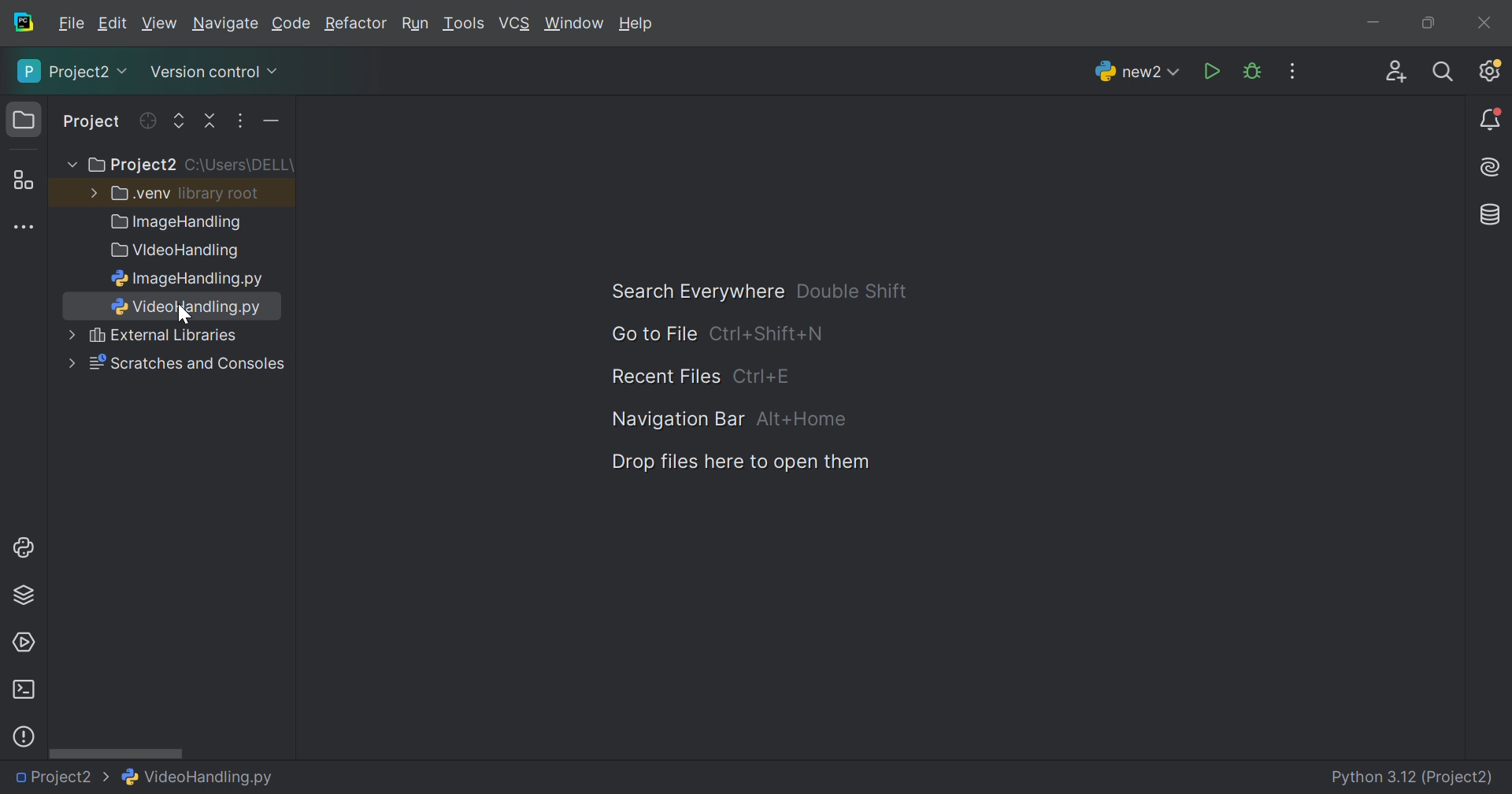 The width and height of the screenshot is (1512, 794). I want to click on Navigate, so click(227, 26).